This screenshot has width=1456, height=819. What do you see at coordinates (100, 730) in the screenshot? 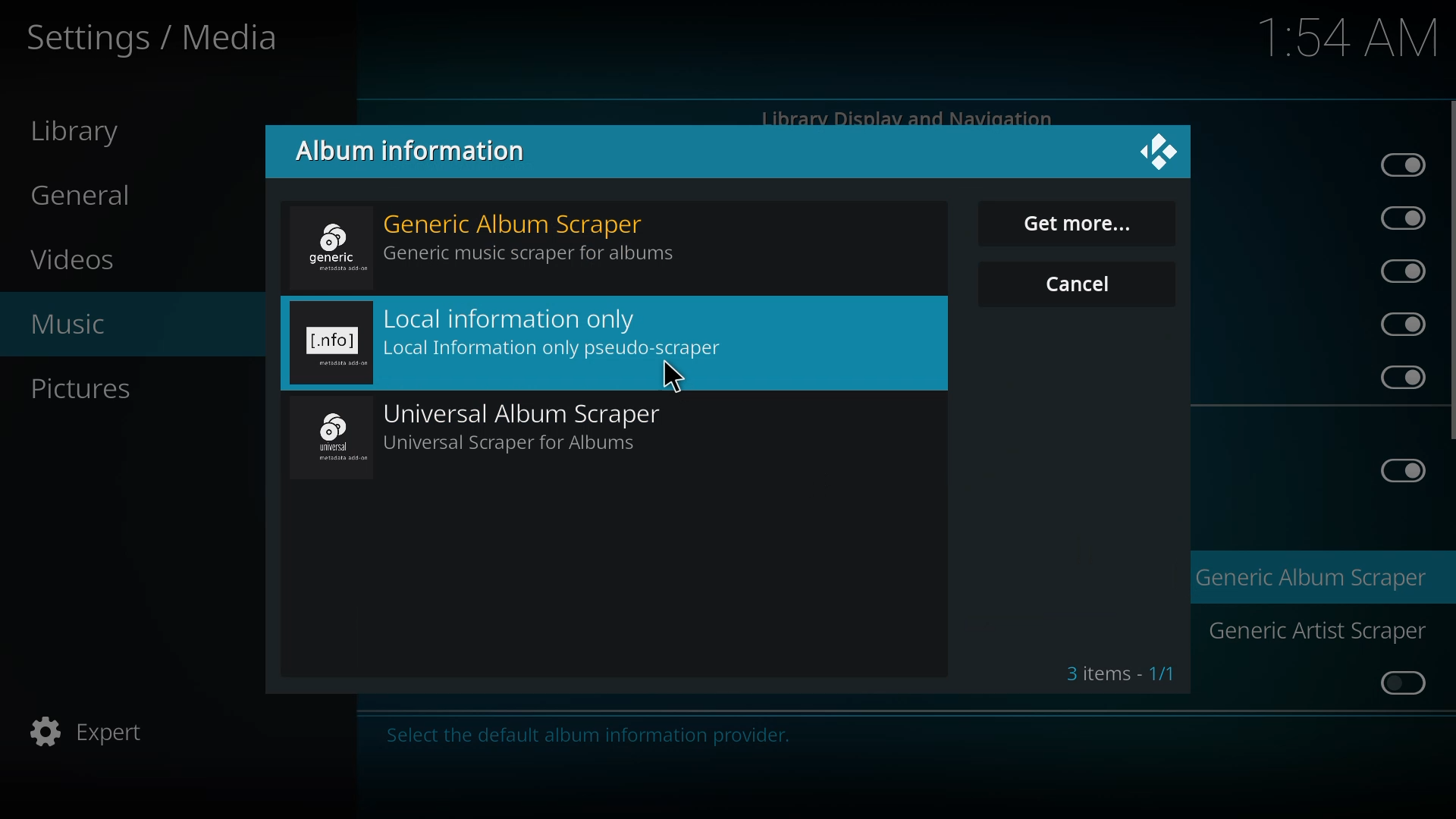
I see `expert` at bounding box center [100, 730].